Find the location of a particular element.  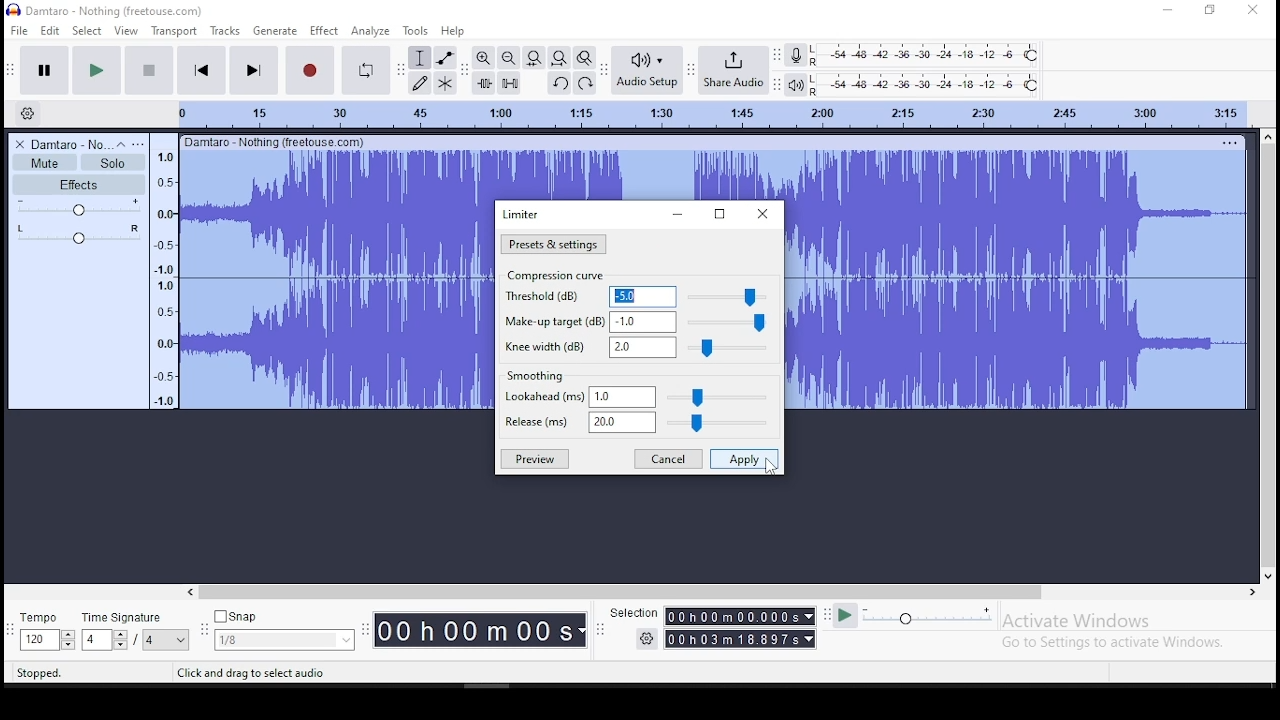

analyze is located at coordinates (370, 31).